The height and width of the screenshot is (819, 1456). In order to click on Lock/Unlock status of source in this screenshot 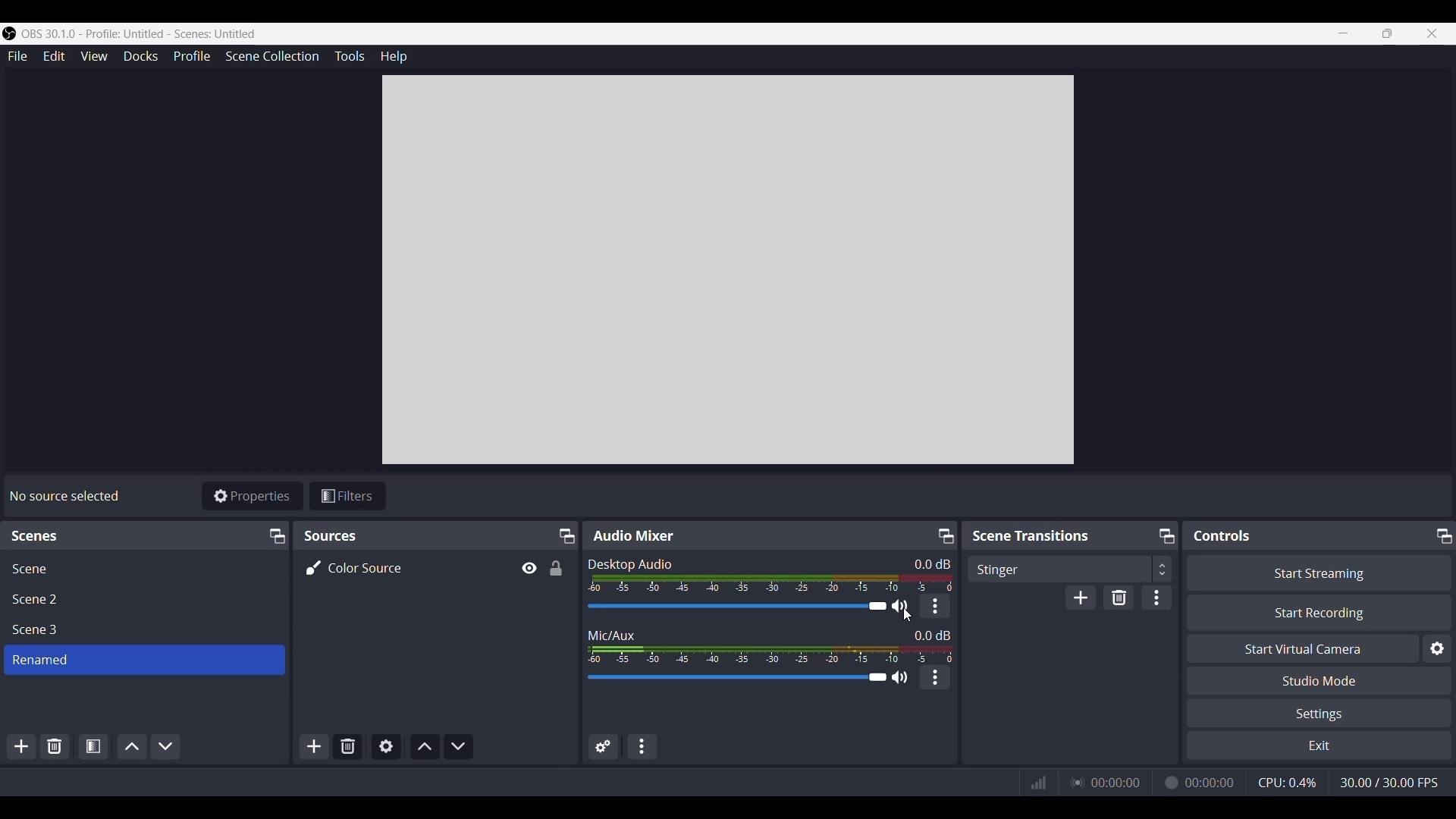, I will do `click(555, 568)`.